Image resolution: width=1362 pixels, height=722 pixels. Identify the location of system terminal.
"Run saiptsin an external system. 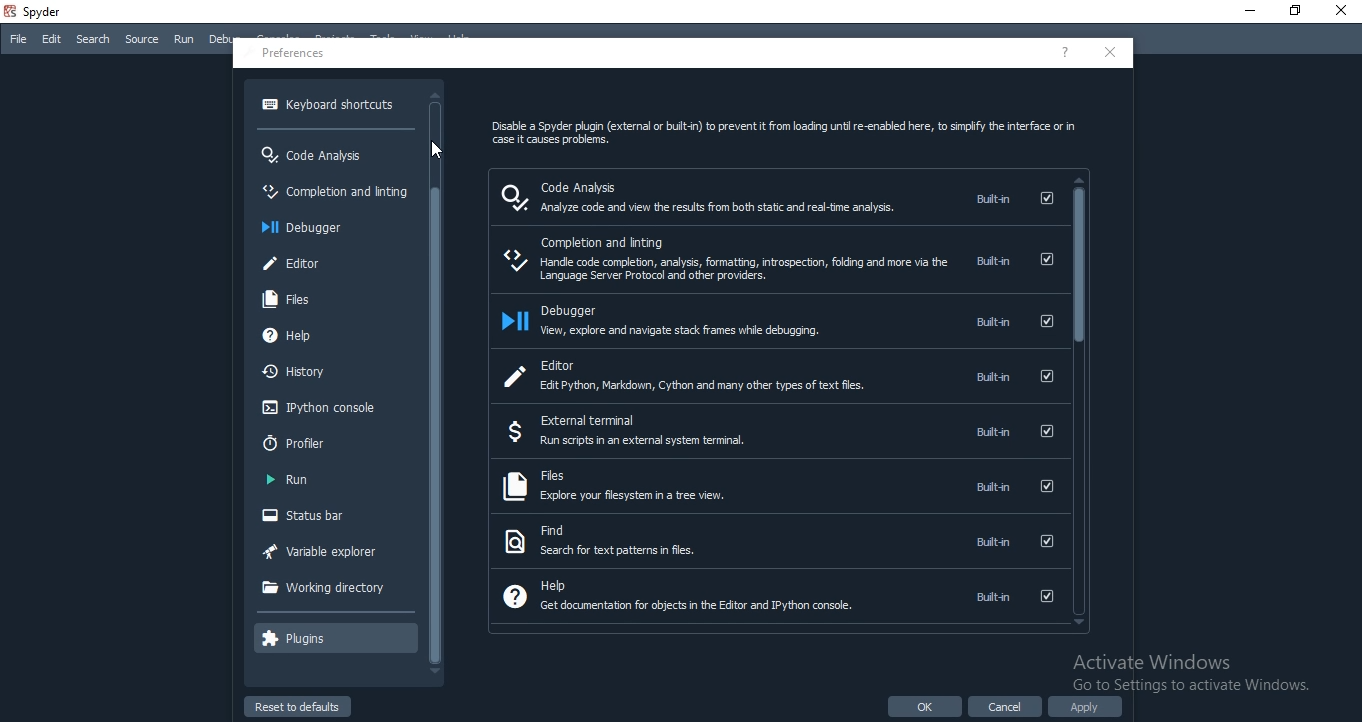
(649, 444).